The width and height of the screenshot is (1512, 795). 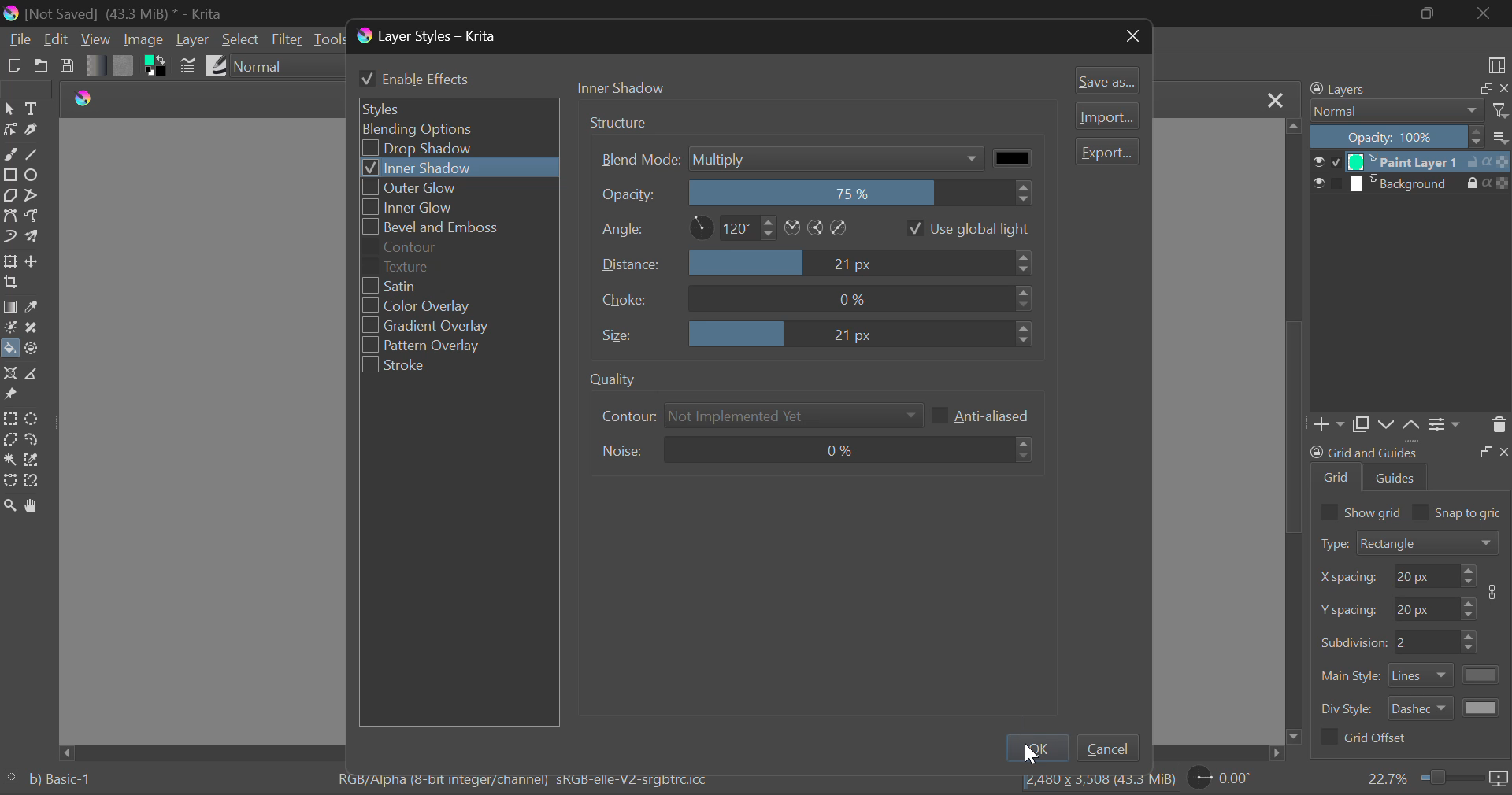 What do you see at coordinates (10, 505) in the screenshot?
I see `Zoom` at bounding box center [10, 505].